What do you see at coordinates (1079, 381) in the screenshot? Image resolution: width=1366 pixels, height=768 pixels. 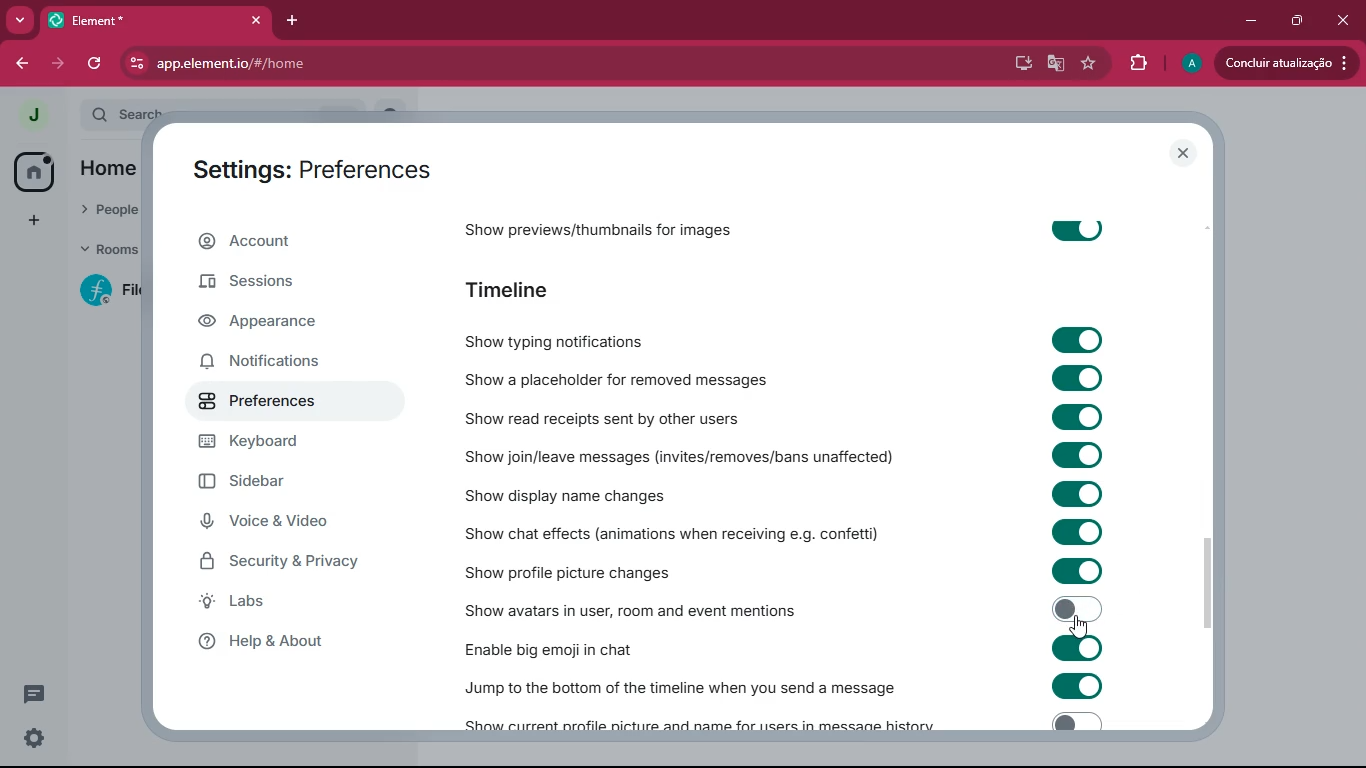 I see `toggle on ` at bounding box center [1079, 381].